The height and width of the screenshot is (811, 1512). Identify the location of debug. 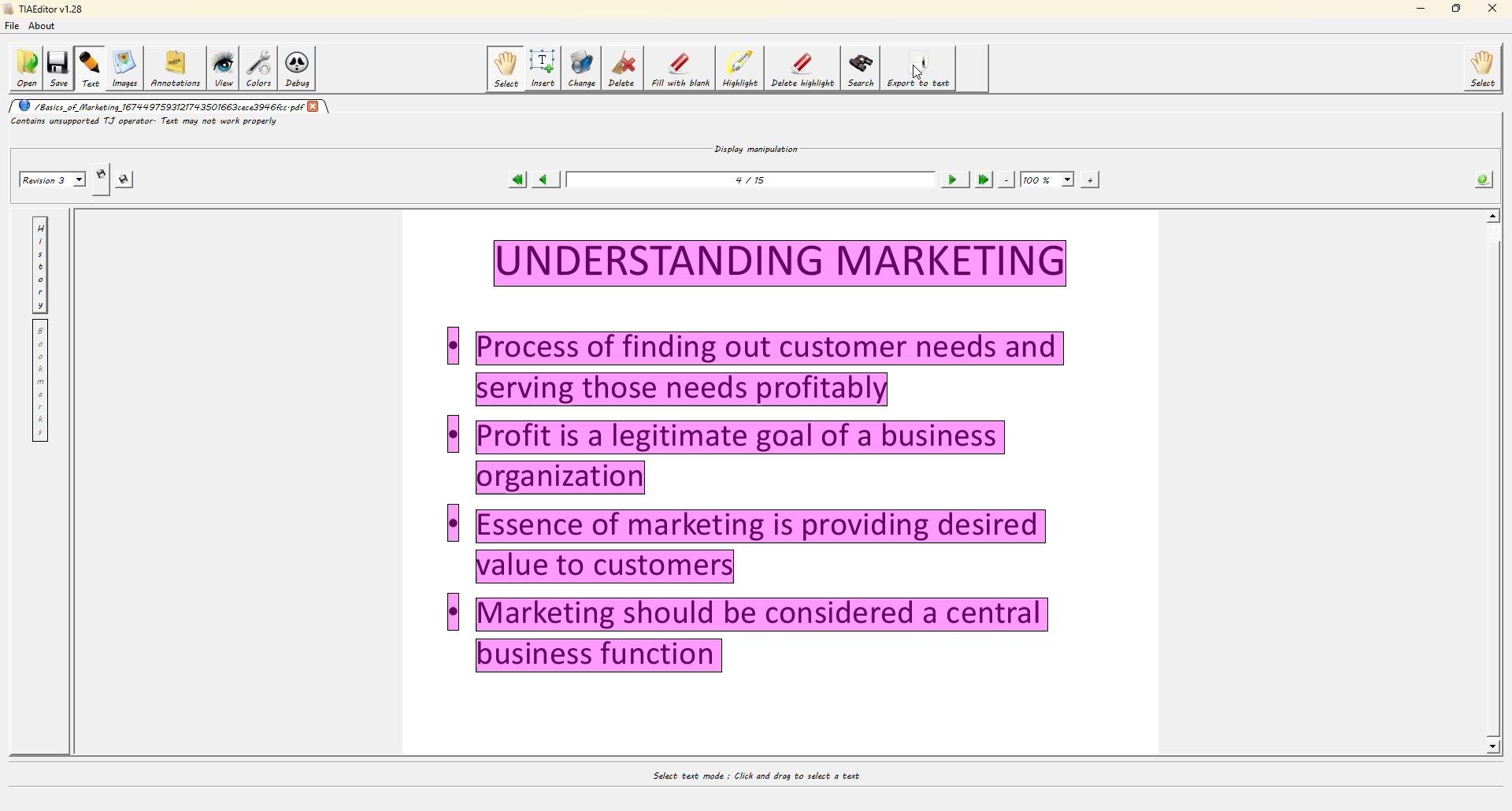
(297, 70).